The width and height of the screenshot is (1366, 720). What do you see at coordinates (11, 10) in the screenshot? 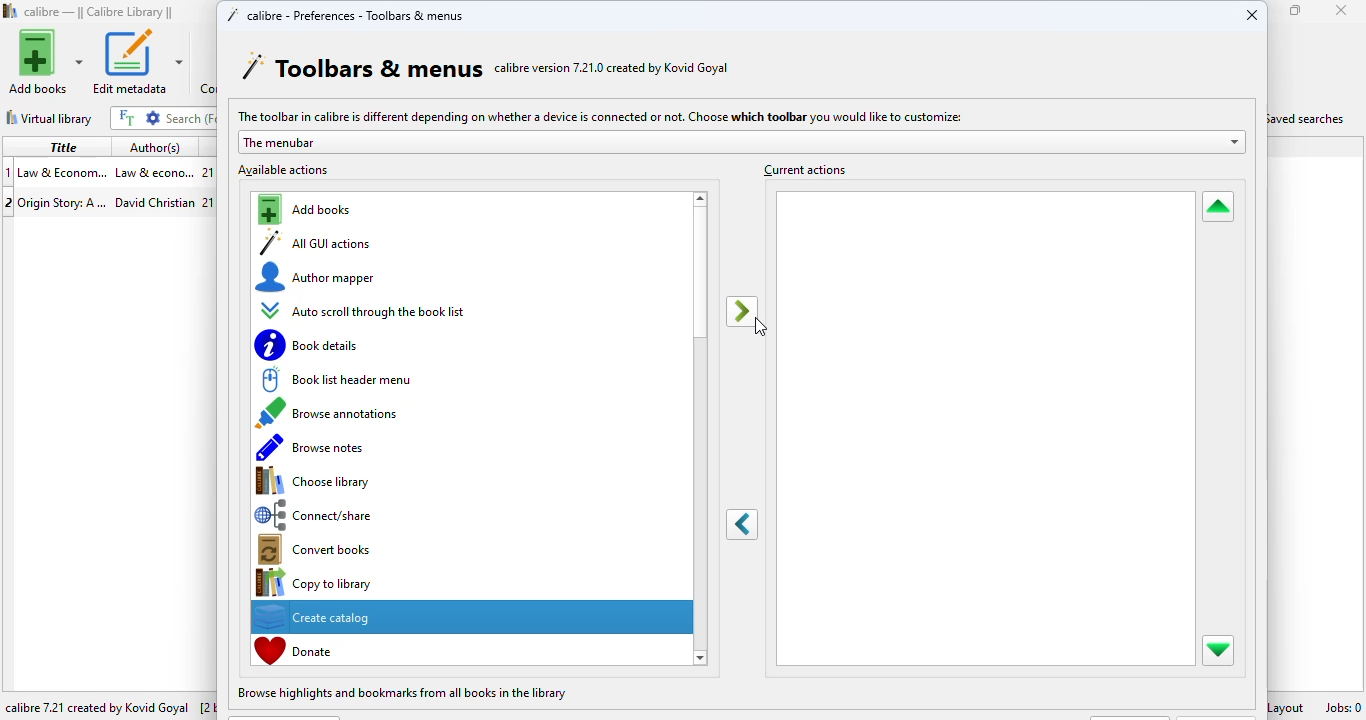
I see `logo` at bounding box center [11, 10].